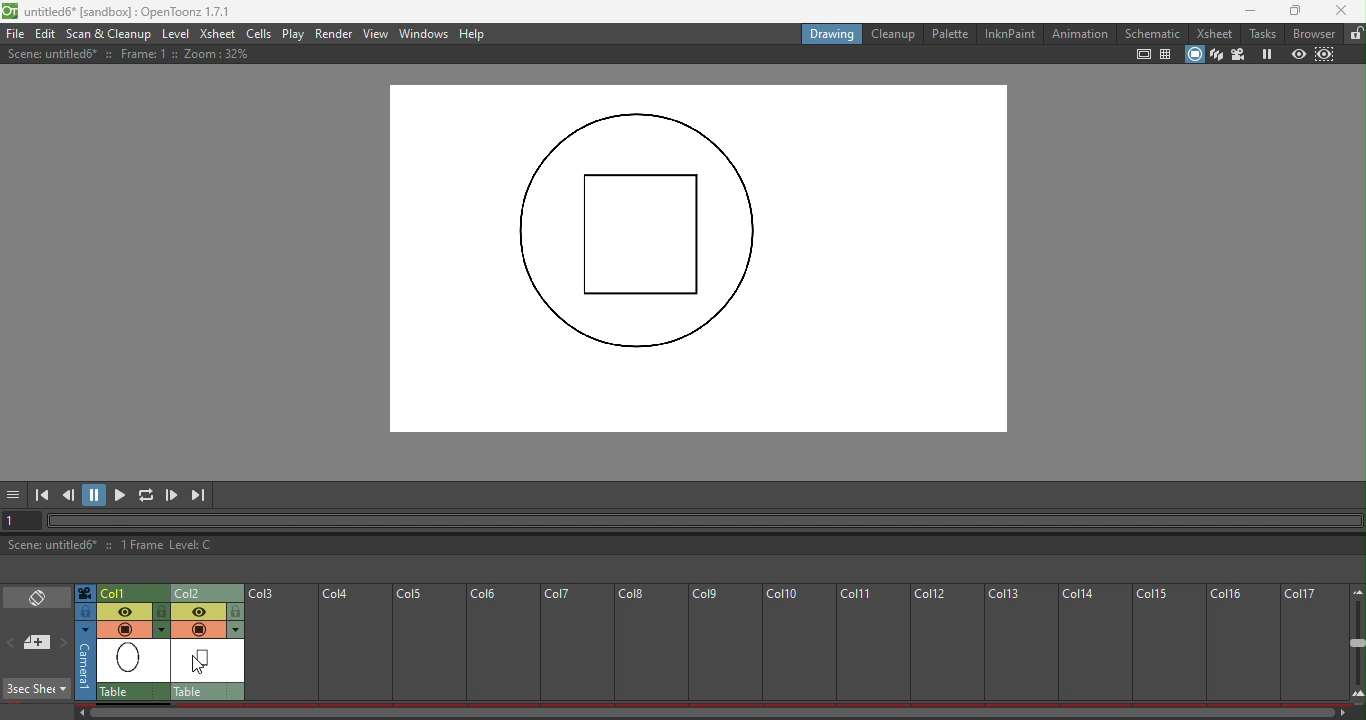 This screenshot has width=1366, height=720. What do you see at coordinates (704, 711) in the screenshot?
I see `Horizontal scroll bar` at bounding box center [704, 711].